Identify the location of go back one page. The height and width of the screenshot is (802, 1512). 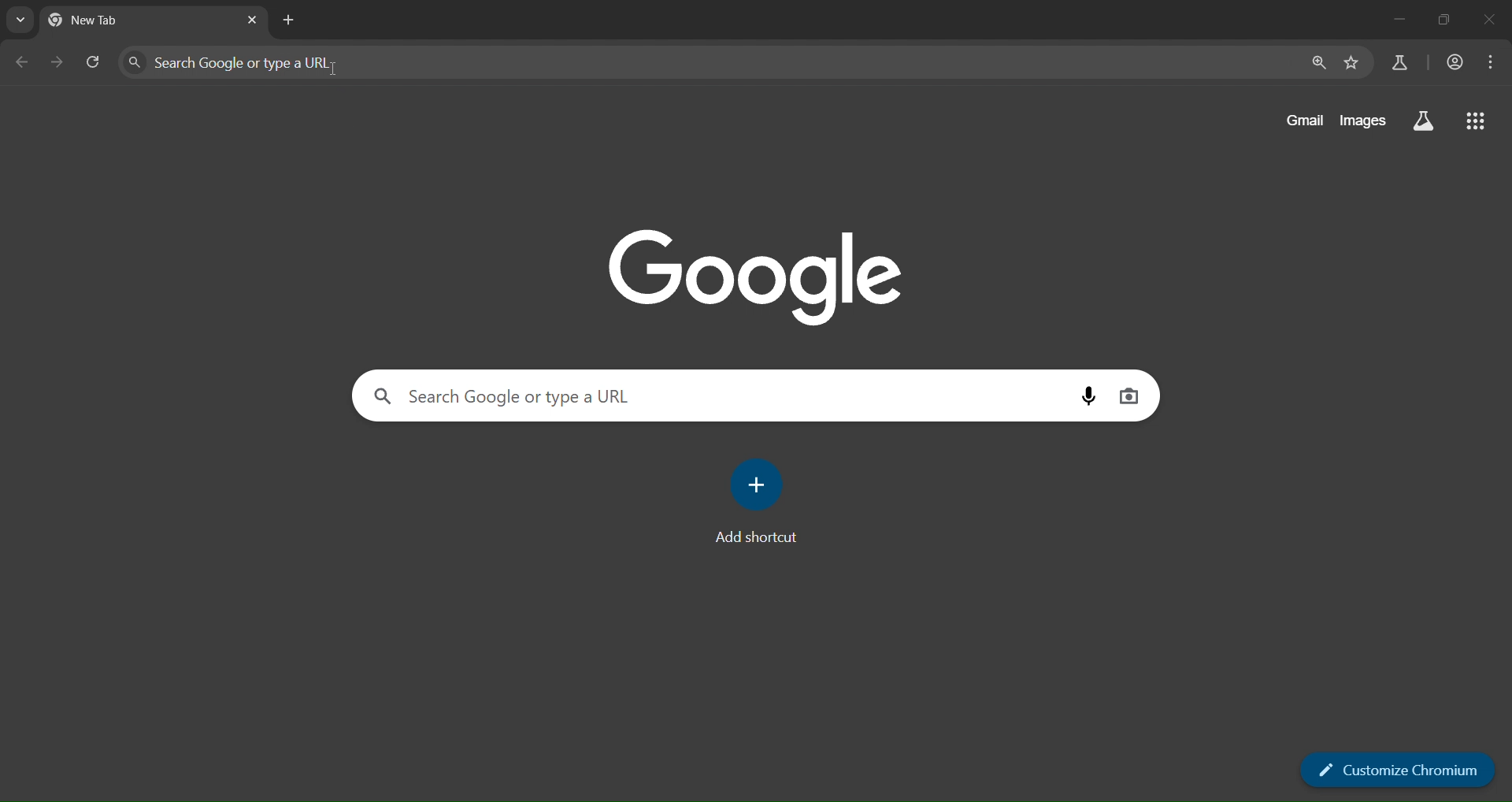
(23, 62).